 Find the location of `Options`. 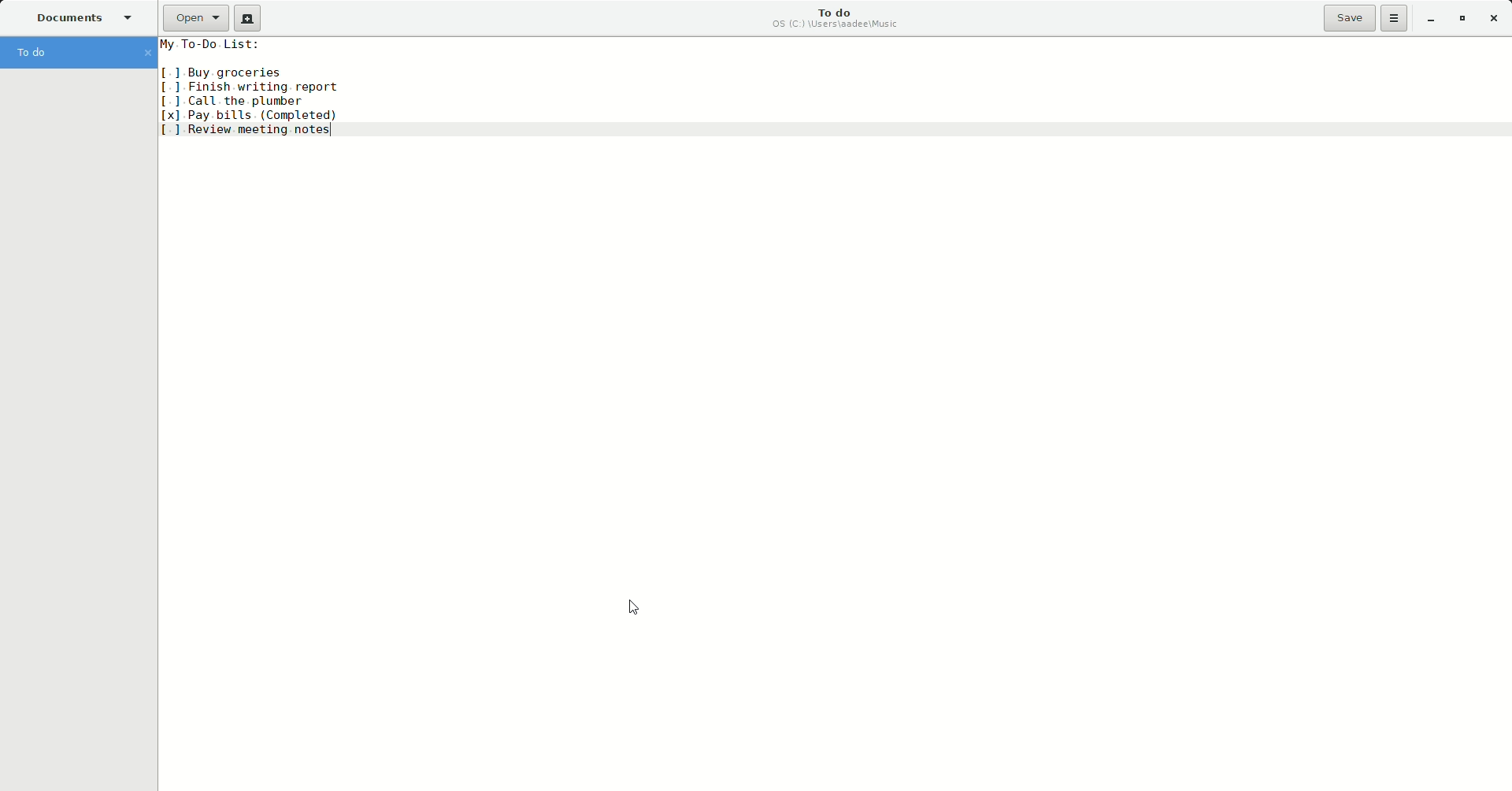

Options is located at coordinates (1395, 19).